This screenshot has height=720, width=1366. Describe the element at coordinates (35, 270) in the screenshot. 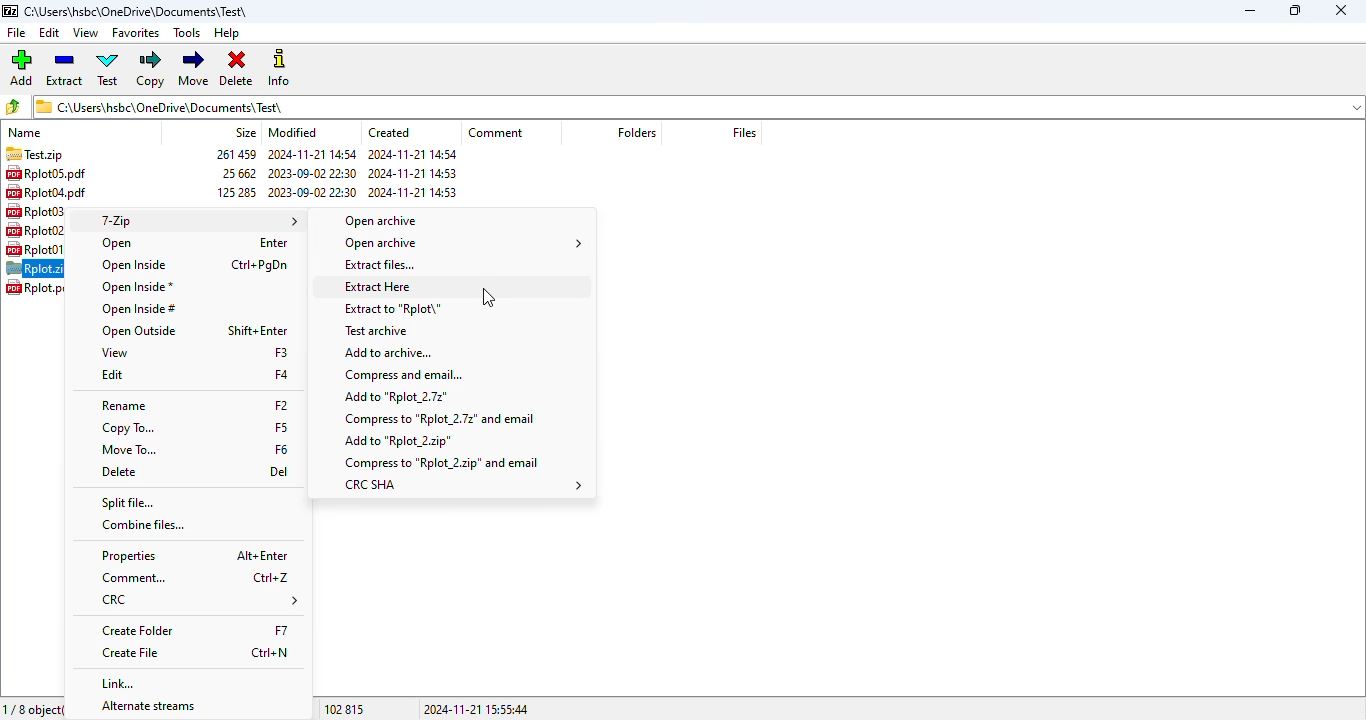

I see `Rplot.zip` at that location.